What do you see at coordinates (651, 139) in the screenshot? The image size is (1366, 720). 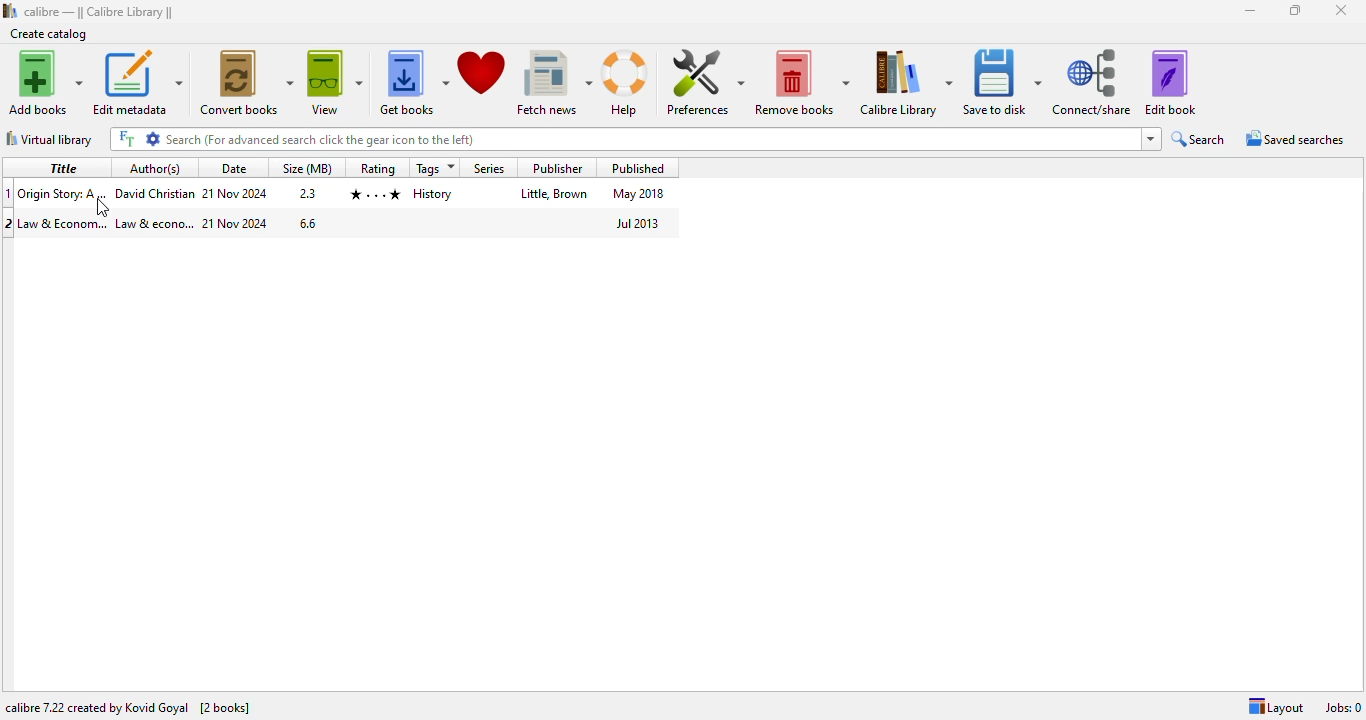 I see `search` at bounding box center [651, 139].